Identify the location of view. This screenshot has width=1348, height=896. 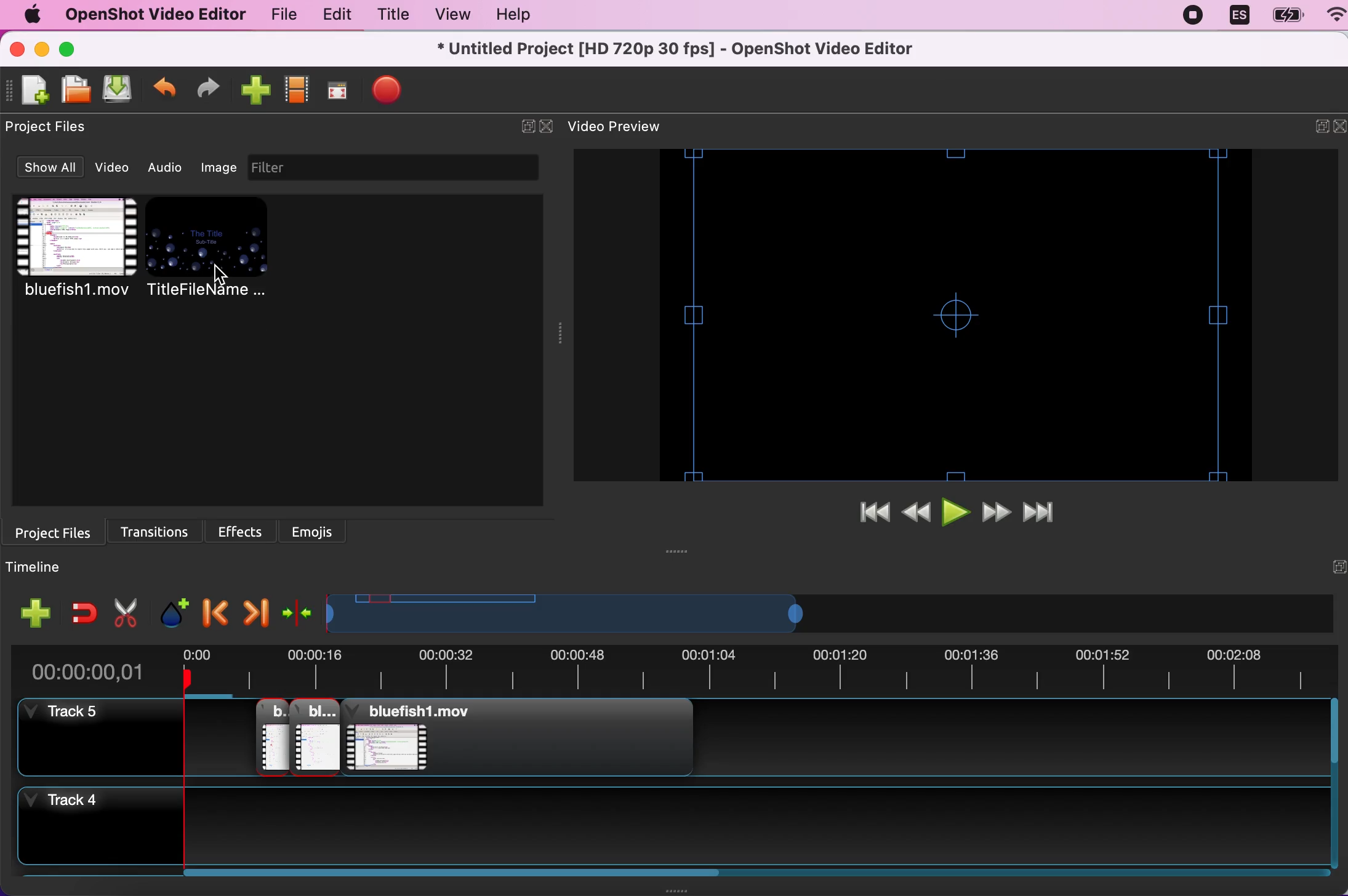
(448, 15).